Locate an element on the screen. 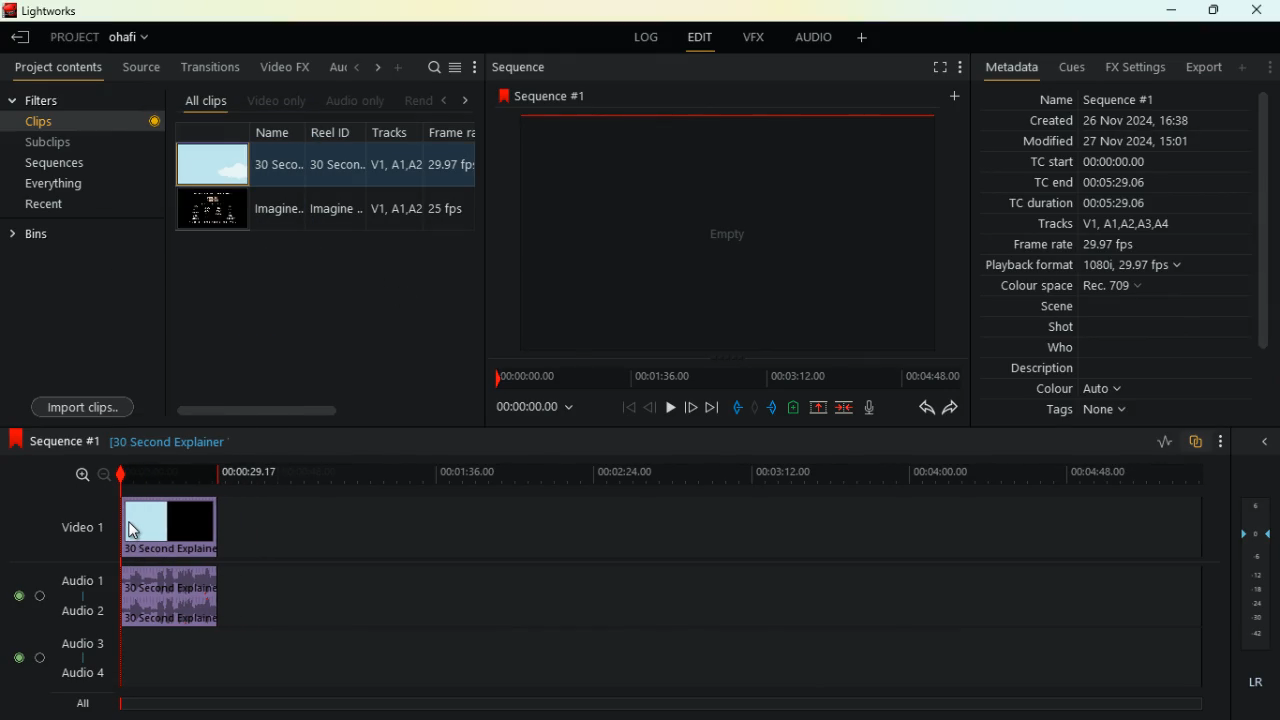  recent is located at coordinates (56, 205).